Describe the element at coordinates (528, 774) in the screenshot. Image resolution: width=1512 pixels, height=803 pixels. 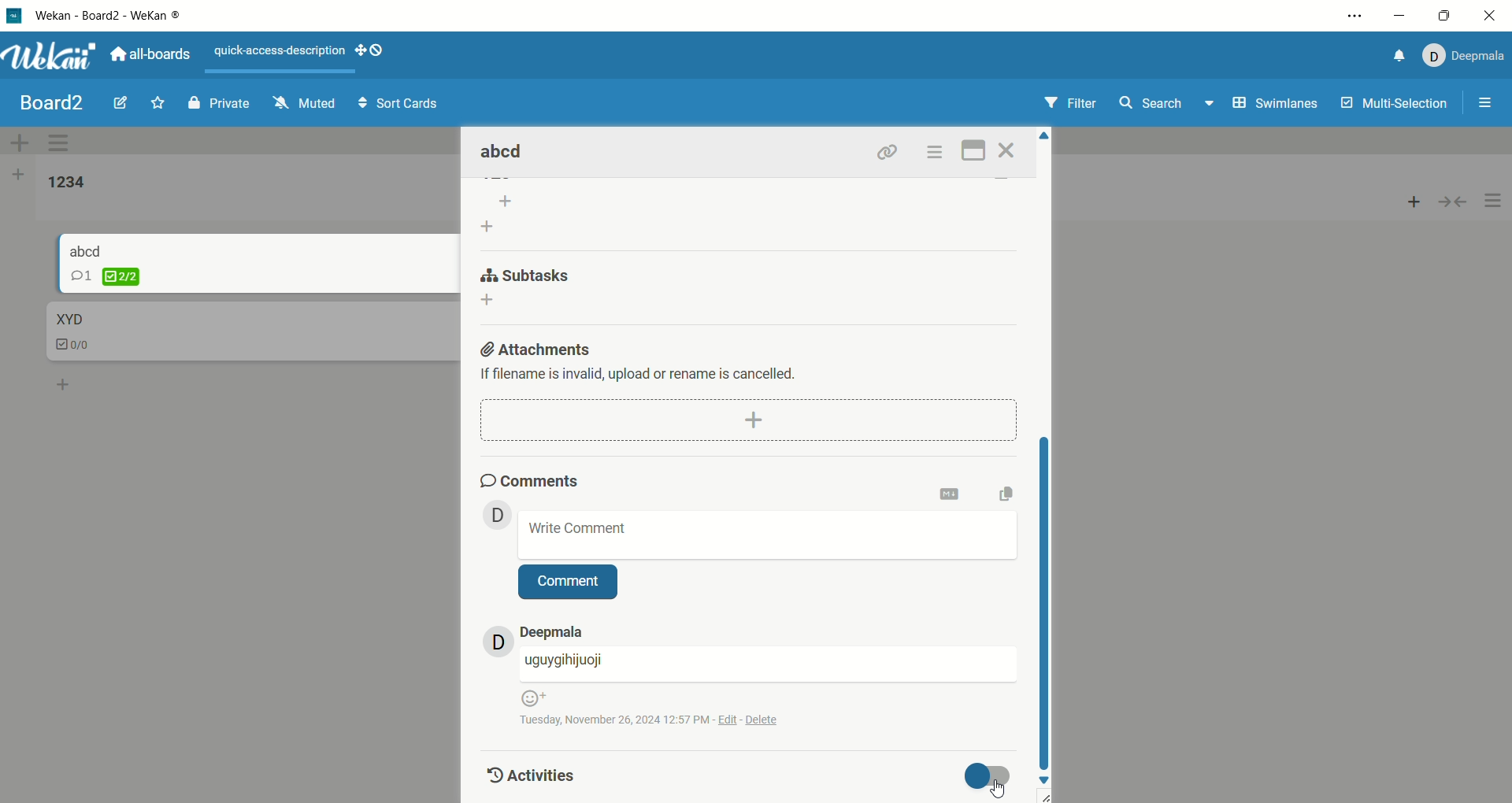
I see `activities` at that location.